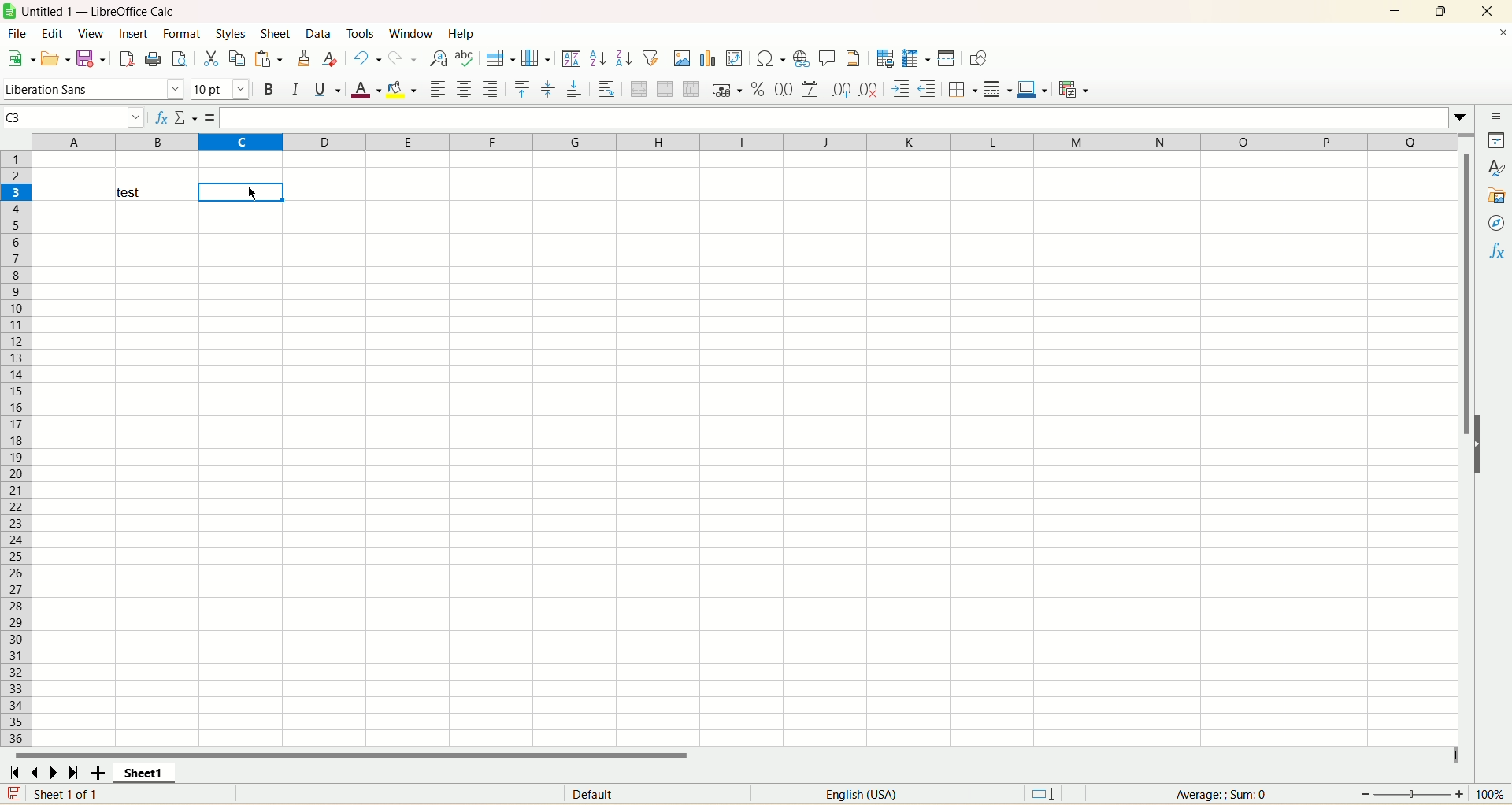  Describe the element at coordinates (707, 58) in the screenshot. I see `insert chart` at that location.